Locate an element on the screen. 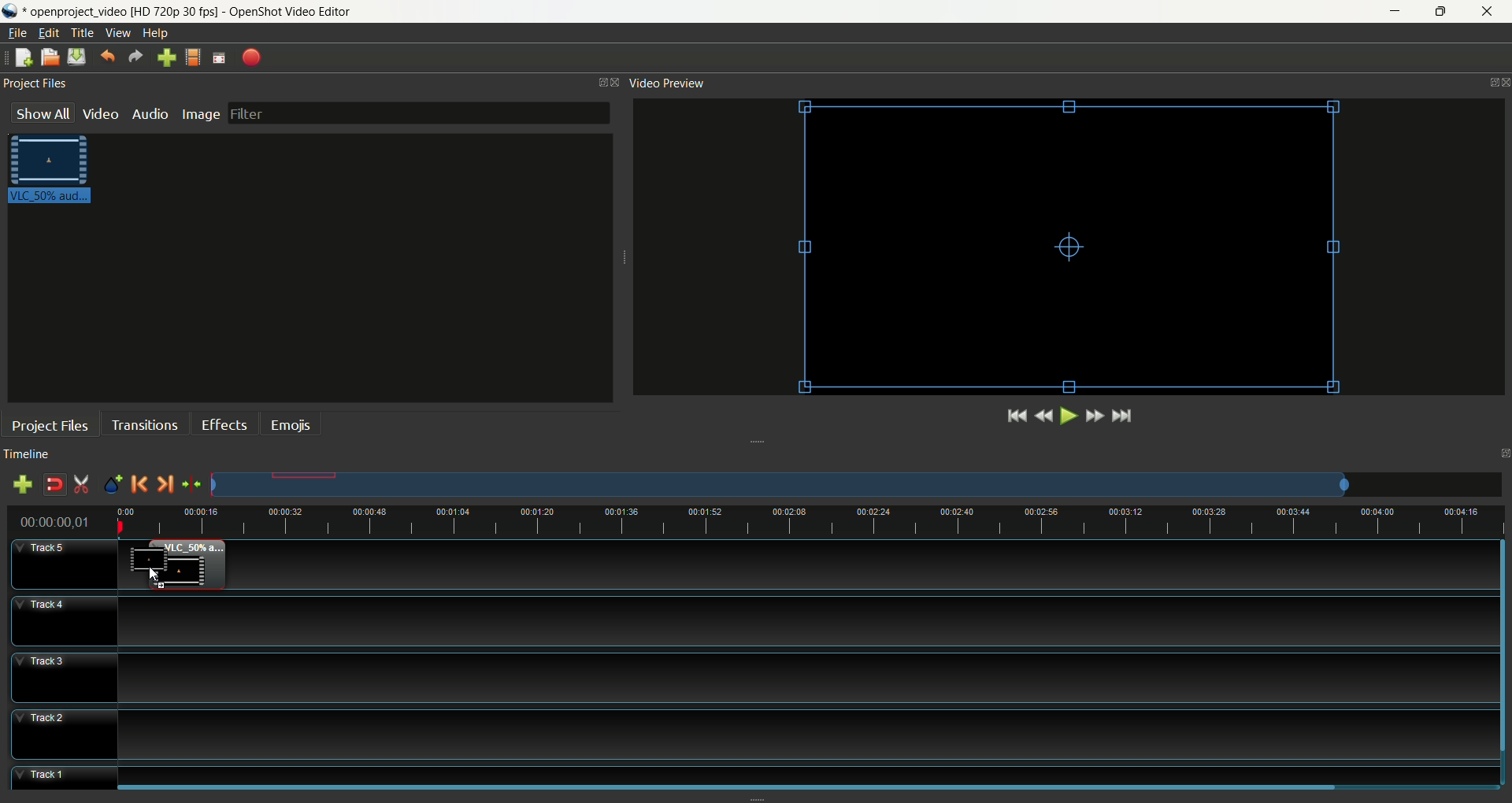 Image resolution: width=1512 pixels, height=803 pixels. maximize window is located at coordinates (599, 83).